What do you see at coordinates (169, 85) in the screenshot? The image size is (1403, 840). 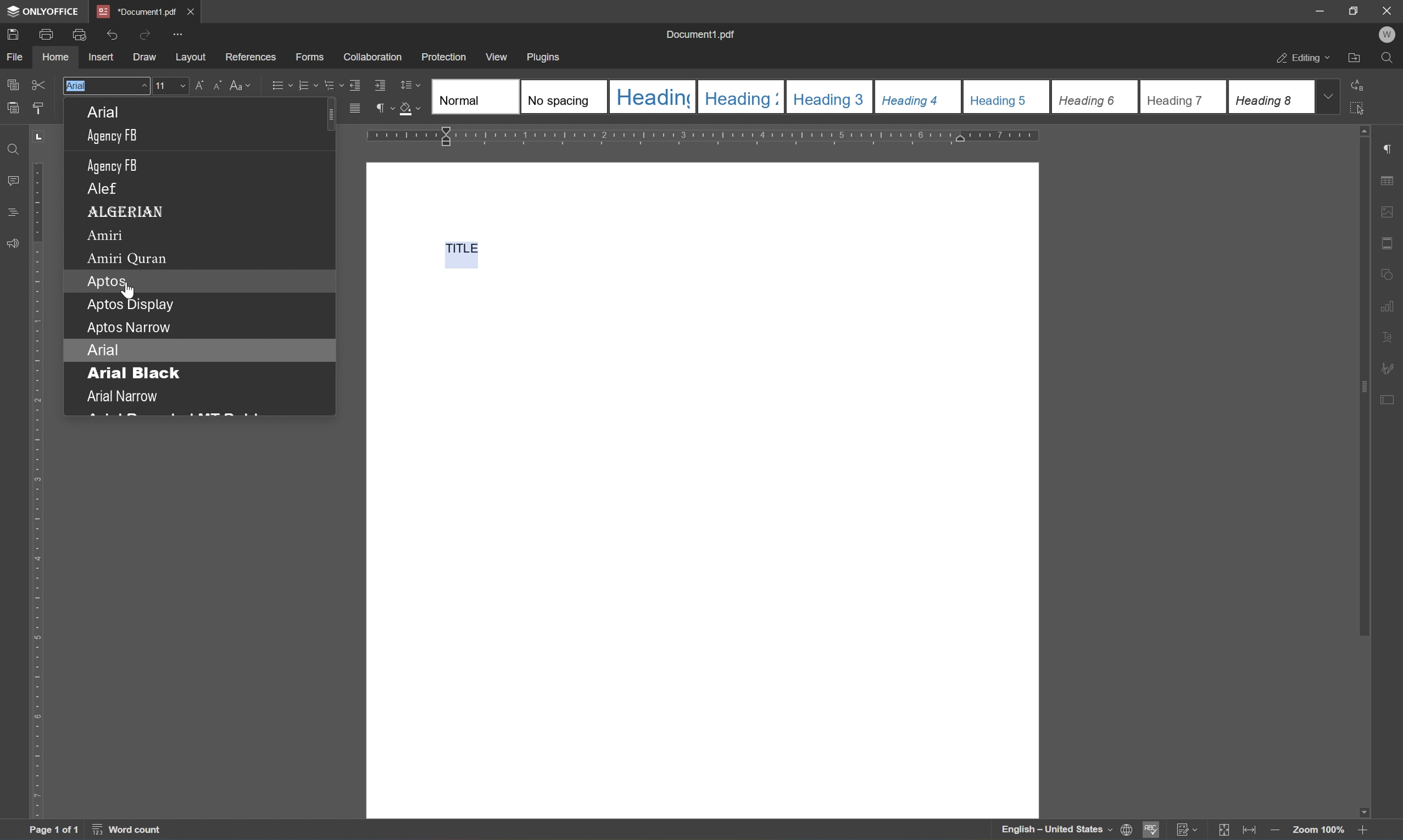 I see `11` at bounding box center [169, 85].